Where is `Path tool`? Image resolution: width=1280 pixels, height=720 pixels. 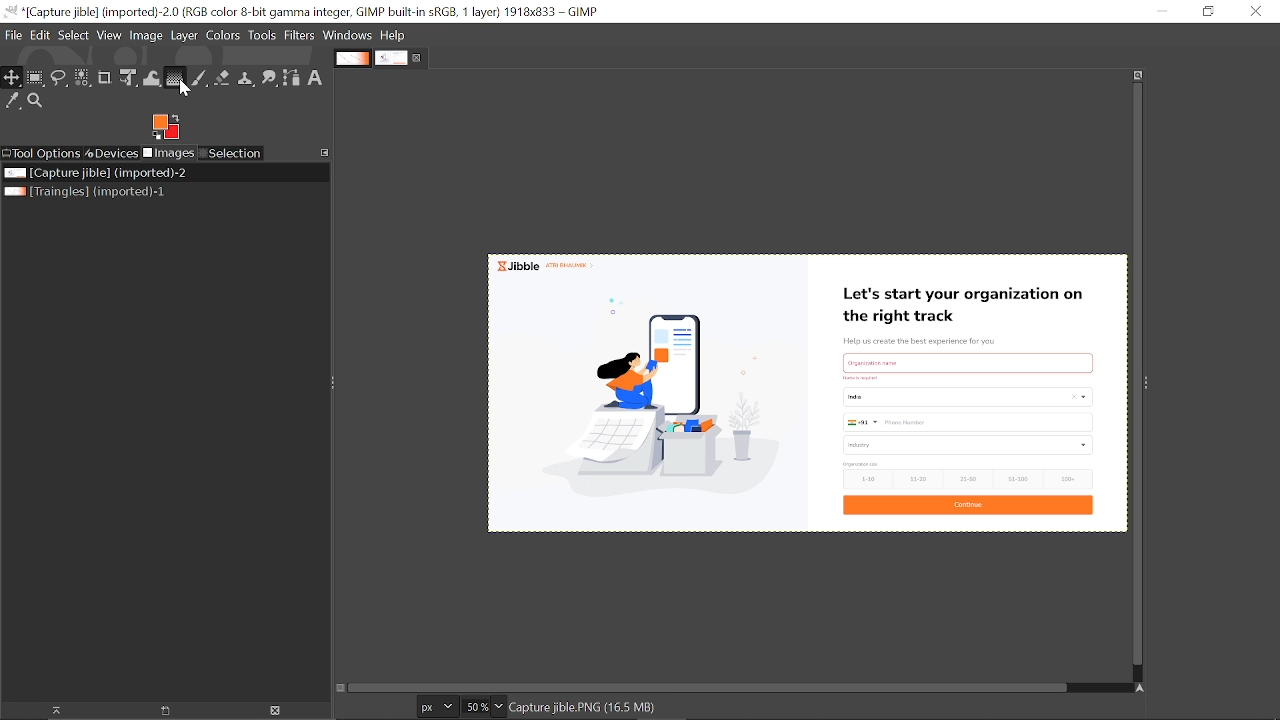
Path tool is located at coordinates (291, 78).